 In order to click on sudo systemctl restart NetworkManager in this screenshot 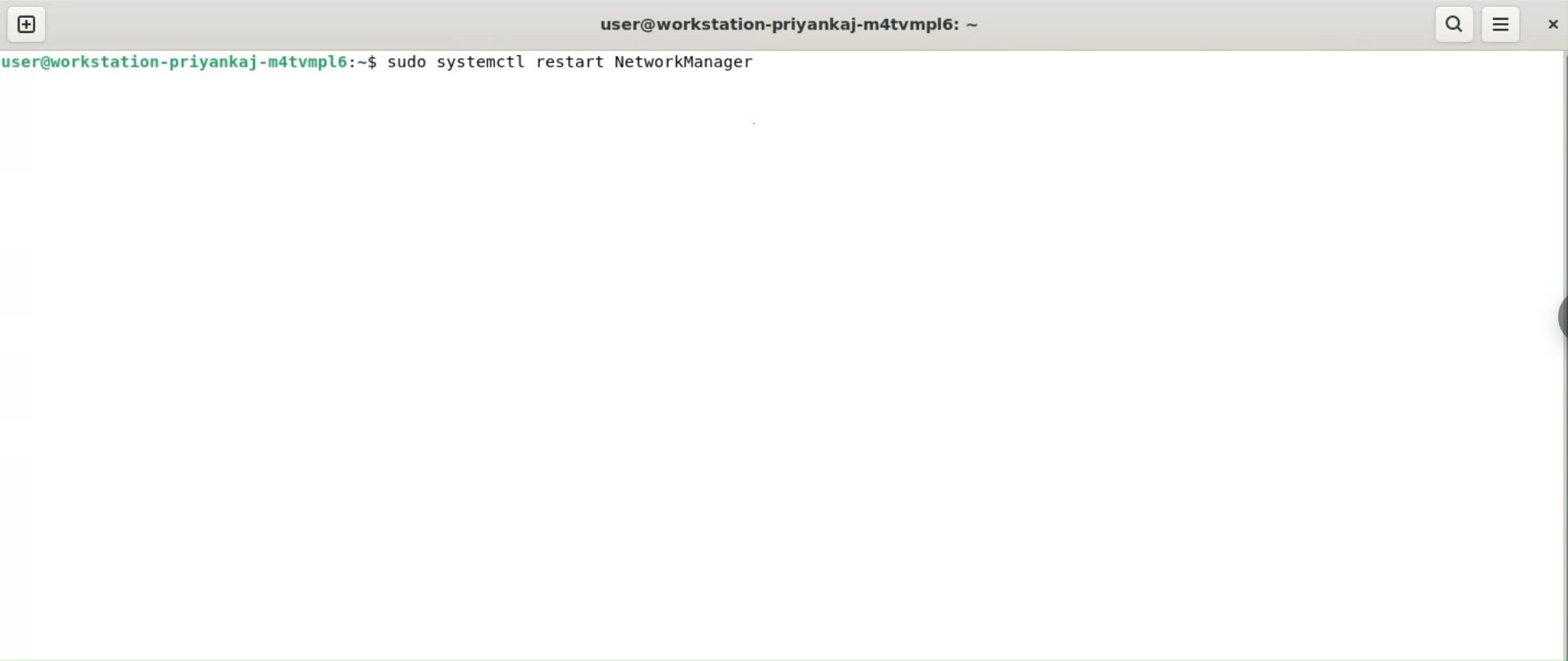, I will do `click(579, 61)`.